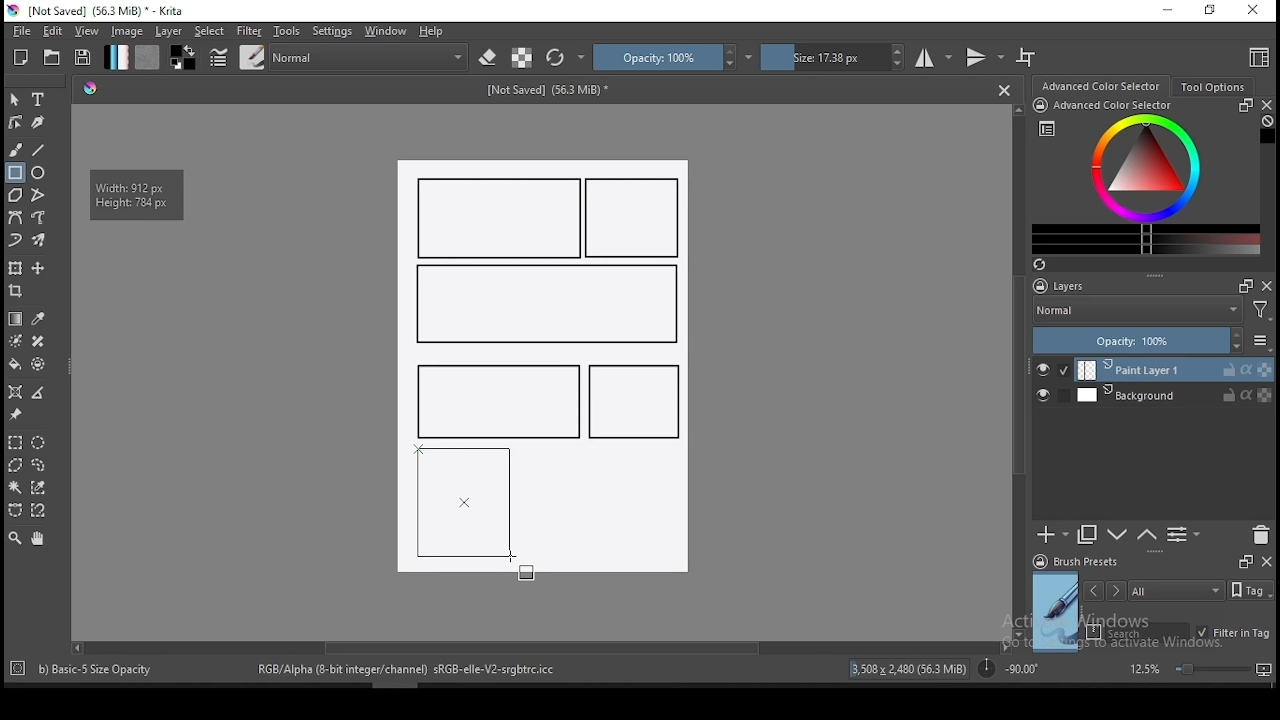 The image size is (1280, 720). Describe the element at coordinates (1245, 561) in the screenshot. I see `Frames` at that location.